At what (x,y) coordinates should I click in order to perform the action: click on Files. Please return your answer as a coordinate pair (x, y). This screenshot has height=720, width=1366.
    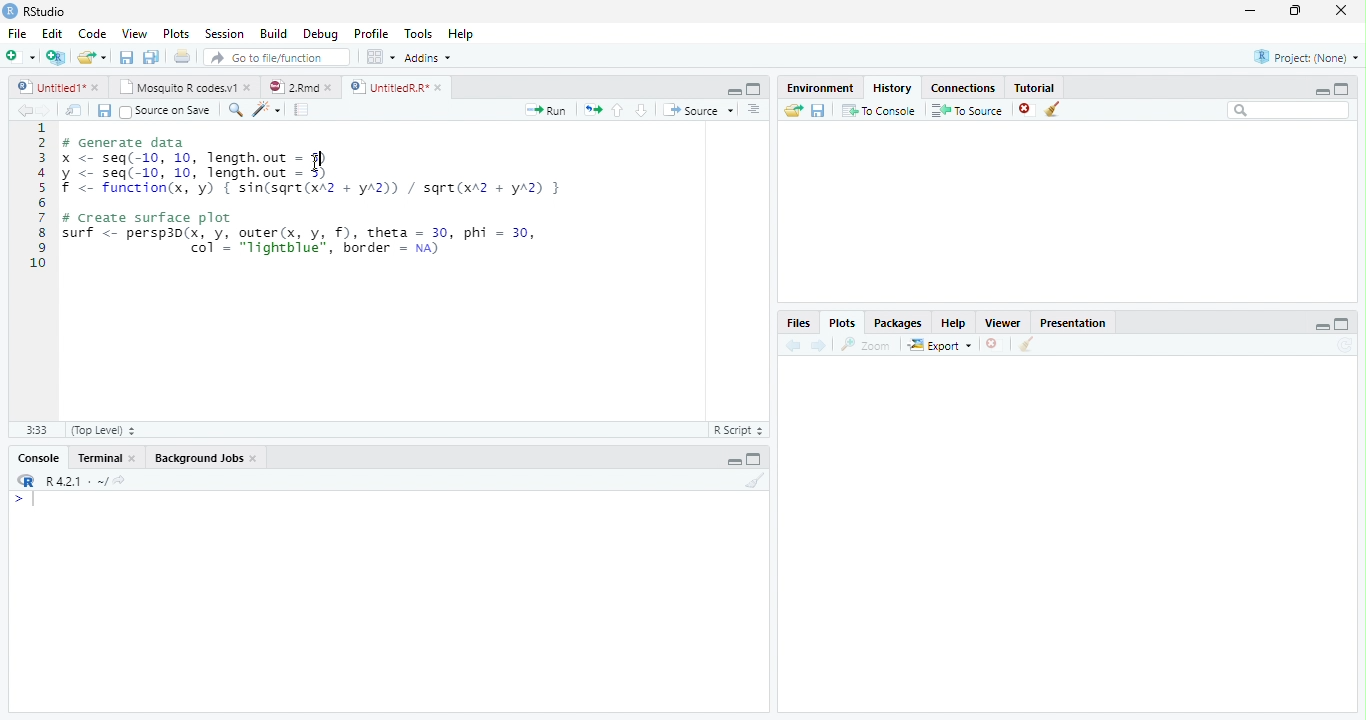
    Looking at the image, I should click on (800, 322).